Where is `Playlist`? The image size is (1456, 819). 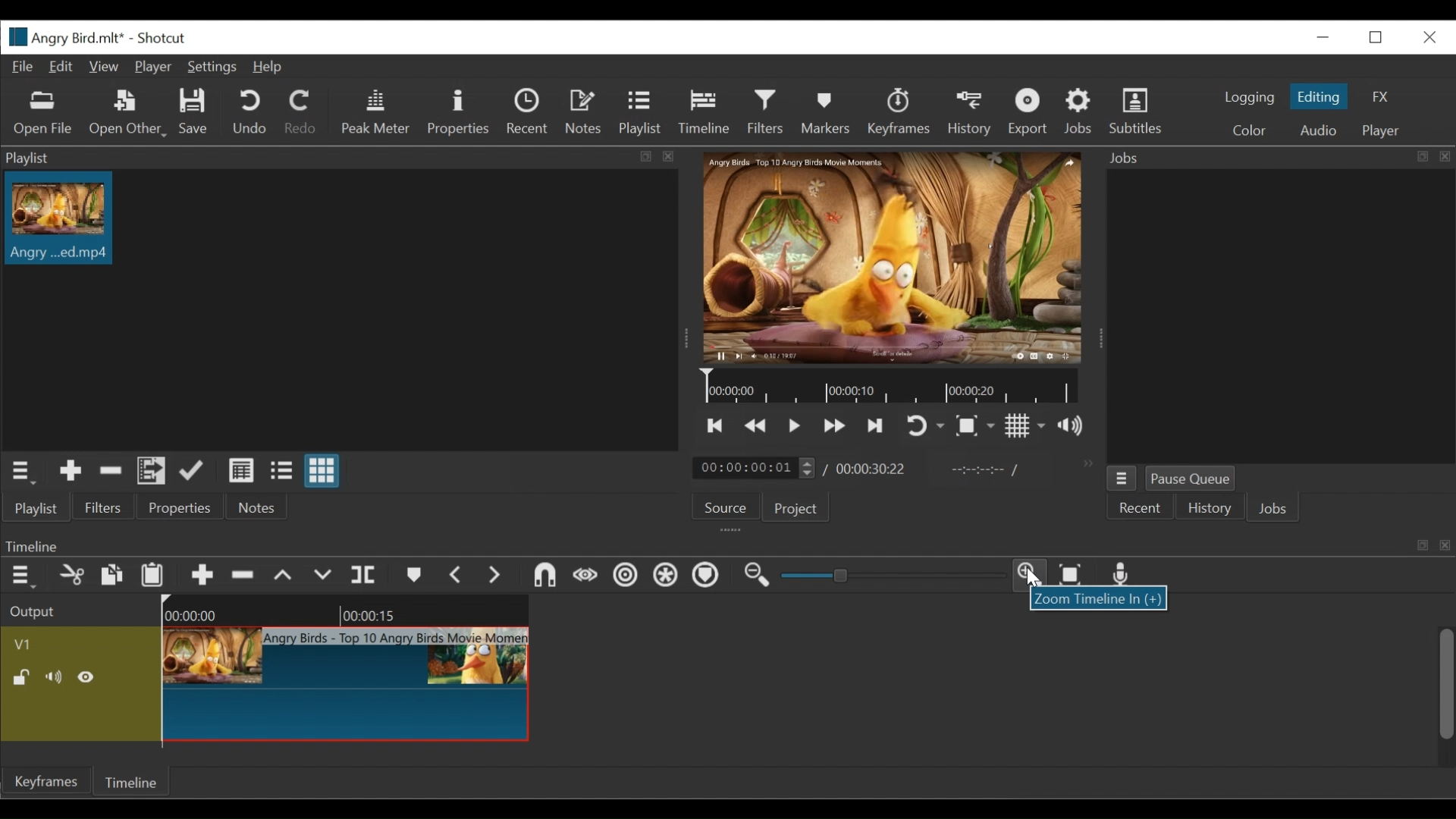
Playlist is located at coordinates (639, 114).